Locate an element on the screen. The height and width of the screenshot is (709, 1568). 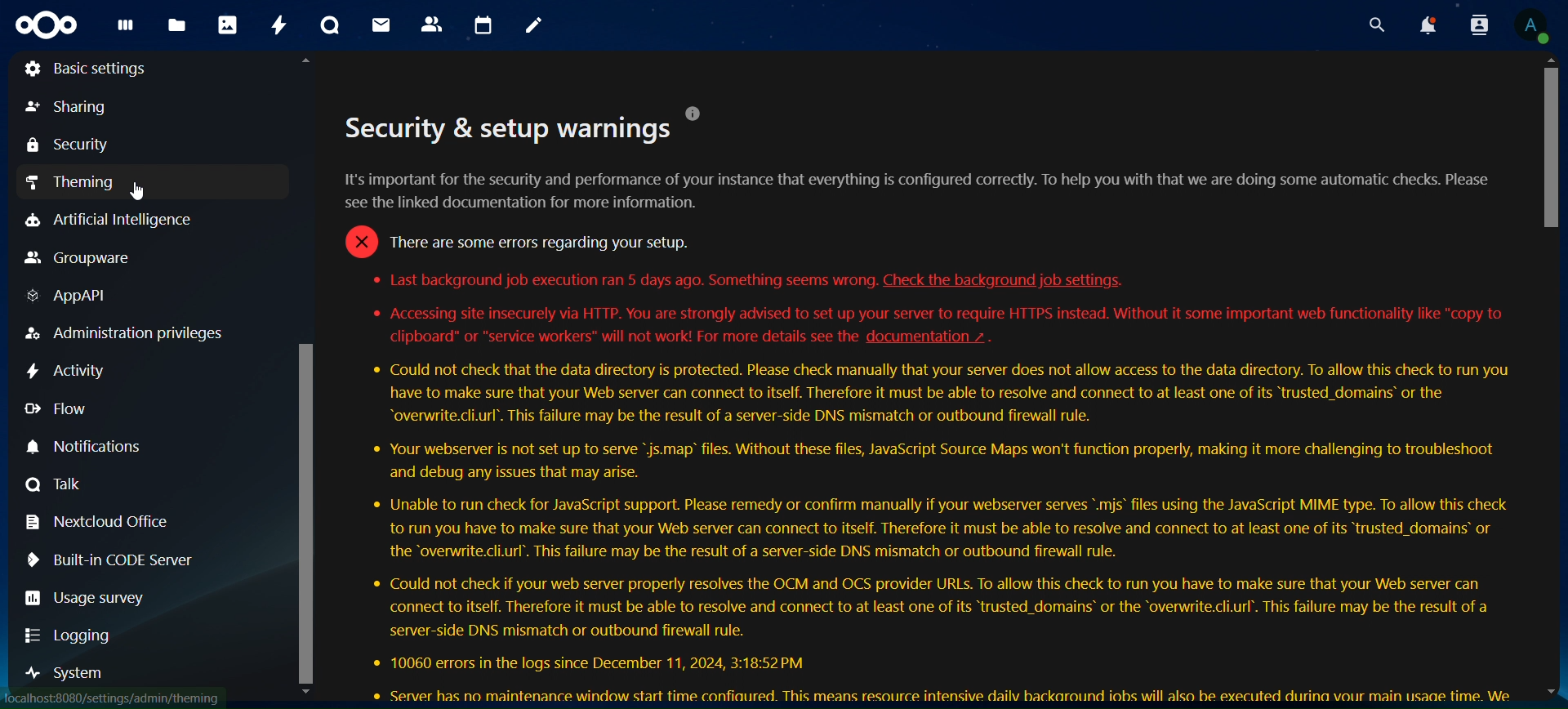
administration privileges is located at coordinates (129, 334).